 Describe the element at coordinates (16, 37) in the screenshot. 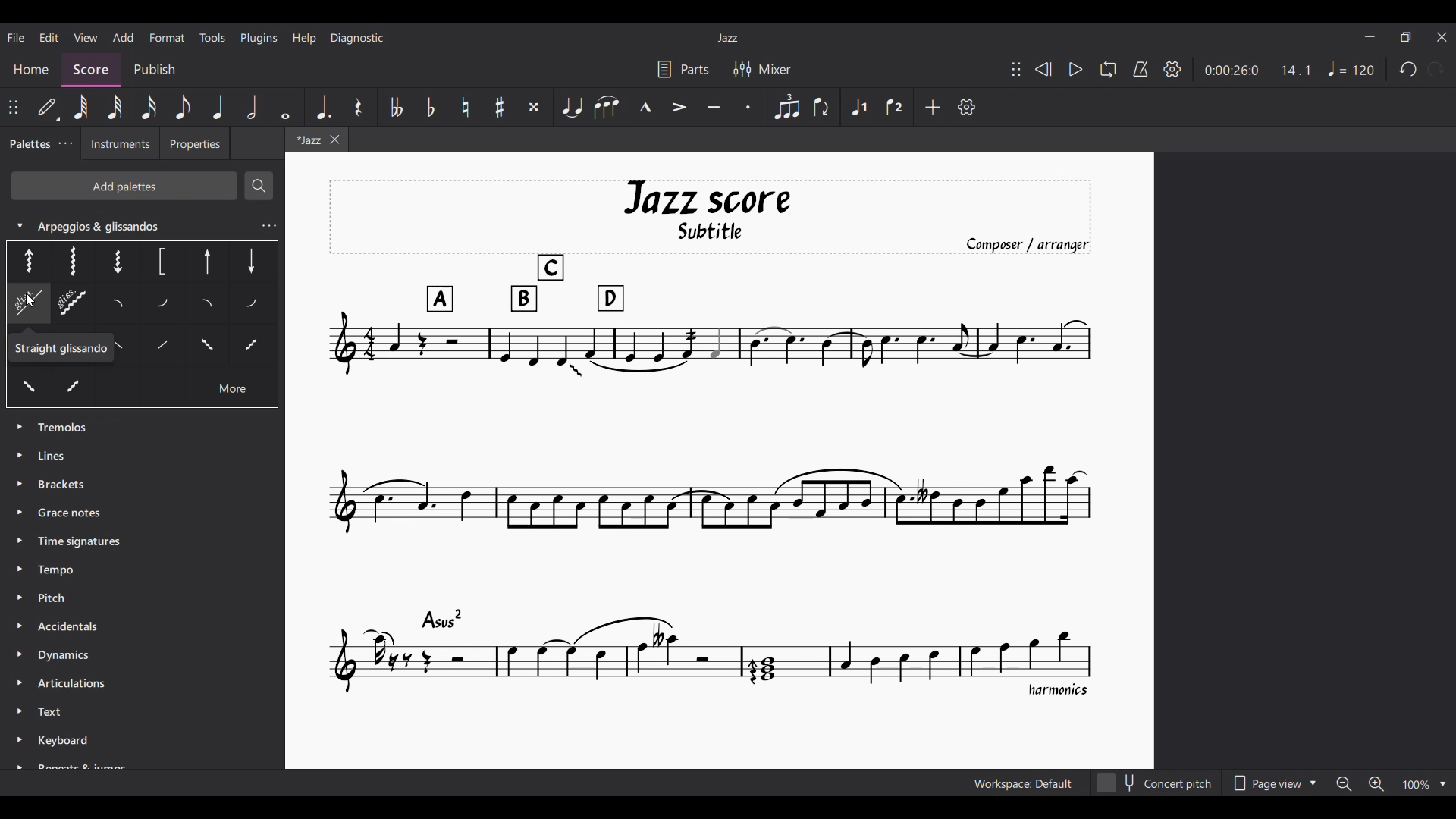

I see `File menu` at that location.